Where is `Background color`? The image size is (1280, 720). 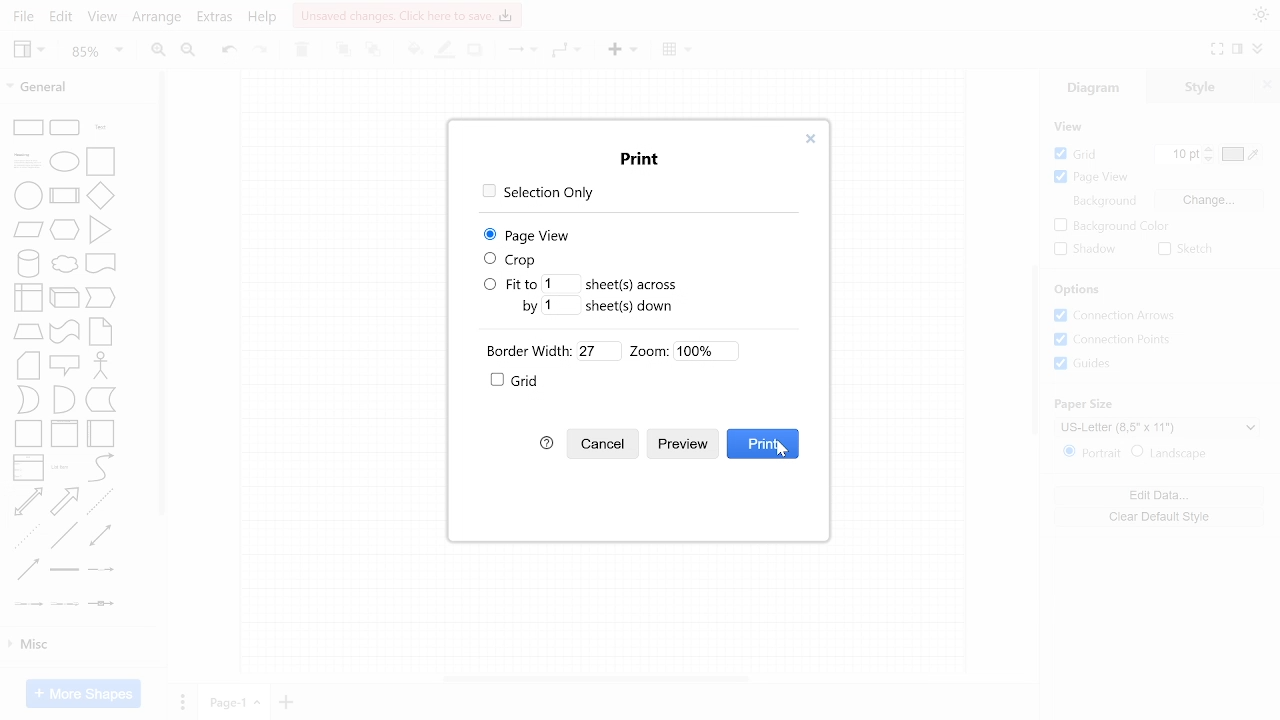 Background color is located at coordinates (1112, 226).